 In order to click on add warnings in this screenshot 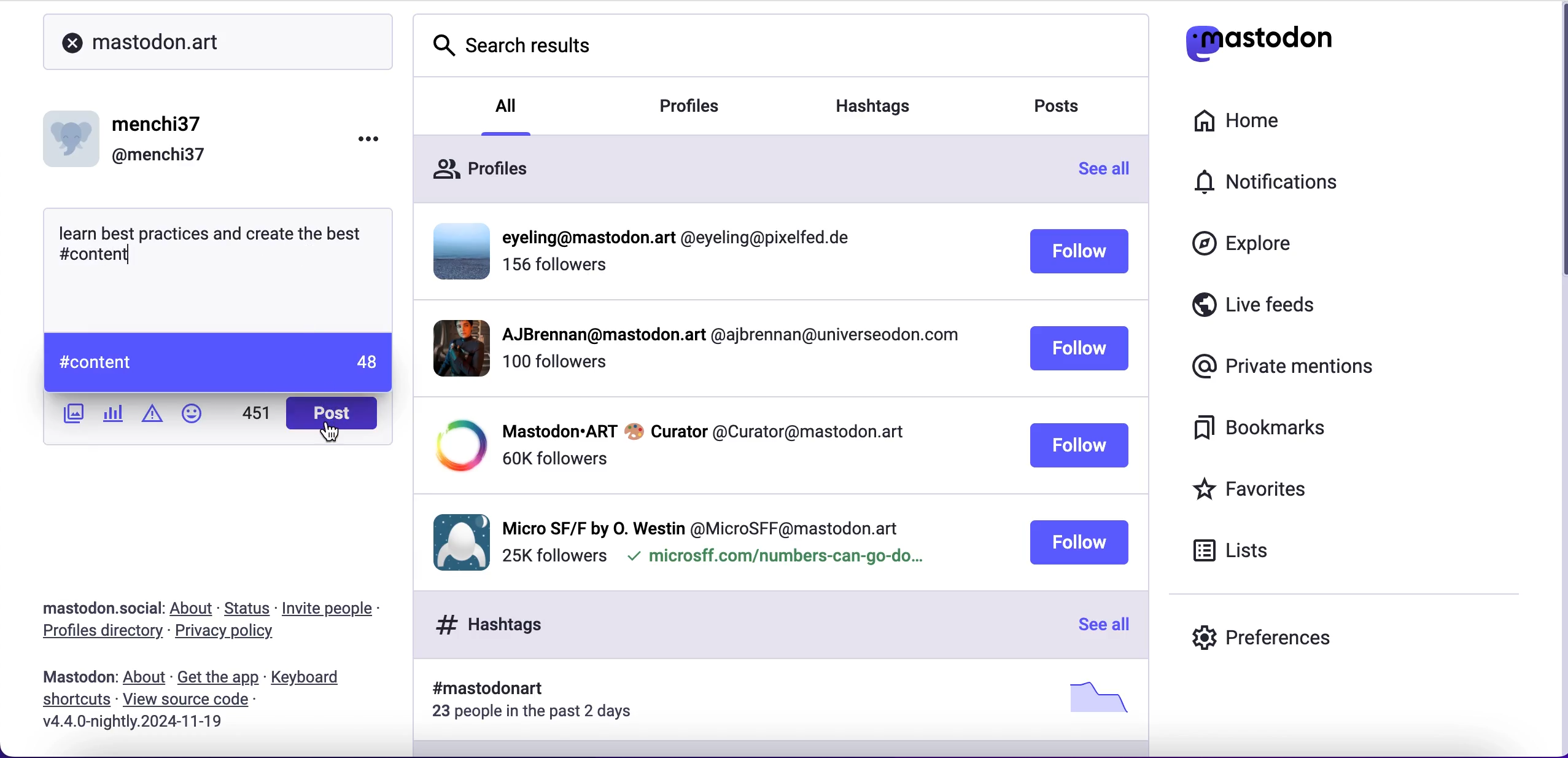, I will do `click(152, 418)`.